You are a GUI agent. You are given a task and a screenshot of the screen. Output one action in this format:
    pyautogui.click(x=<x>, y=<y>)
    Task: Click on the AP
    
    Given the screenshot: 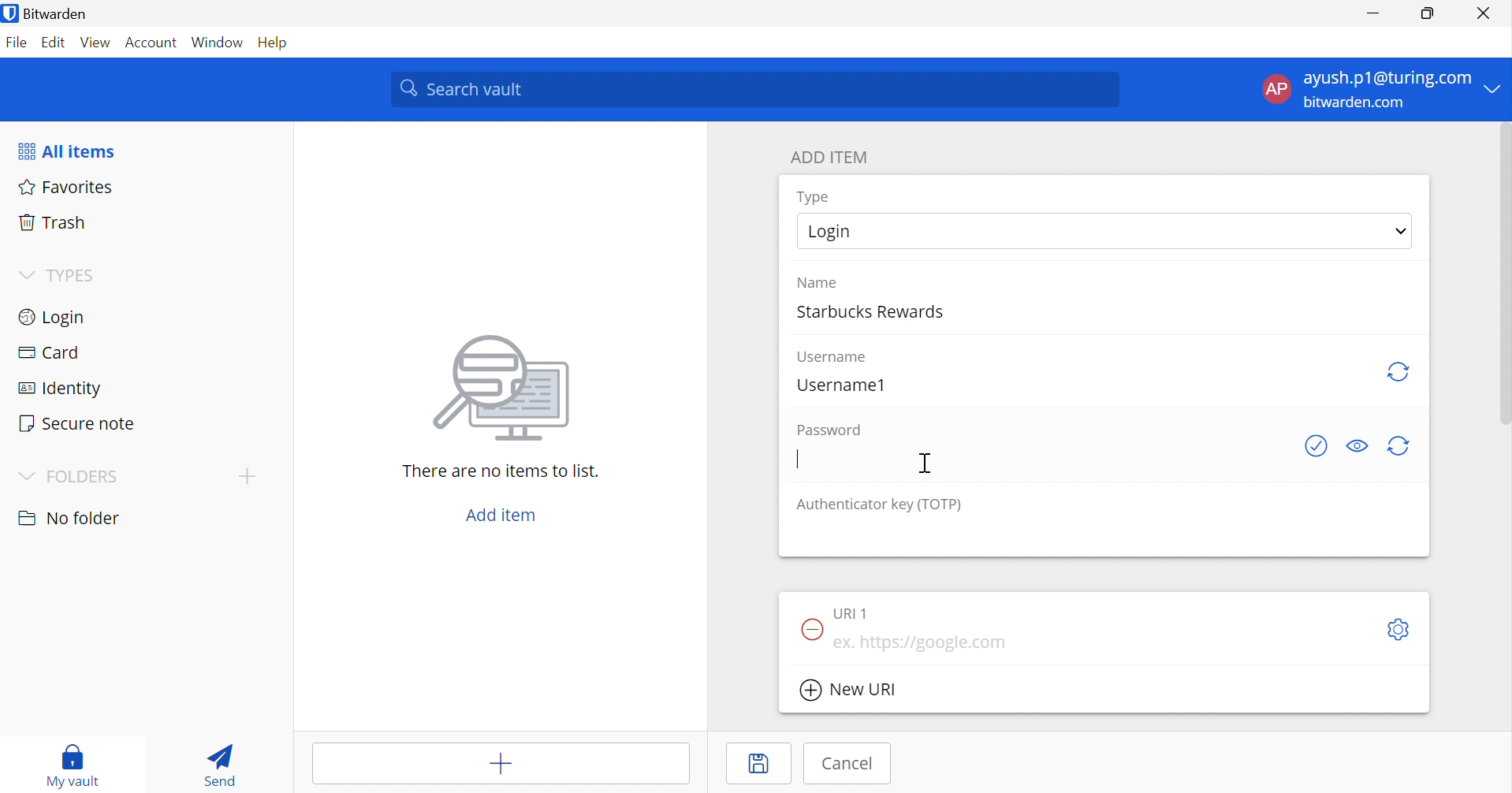 What is the action you would take?
    pyautogui.click(x=1276, y=91)
    